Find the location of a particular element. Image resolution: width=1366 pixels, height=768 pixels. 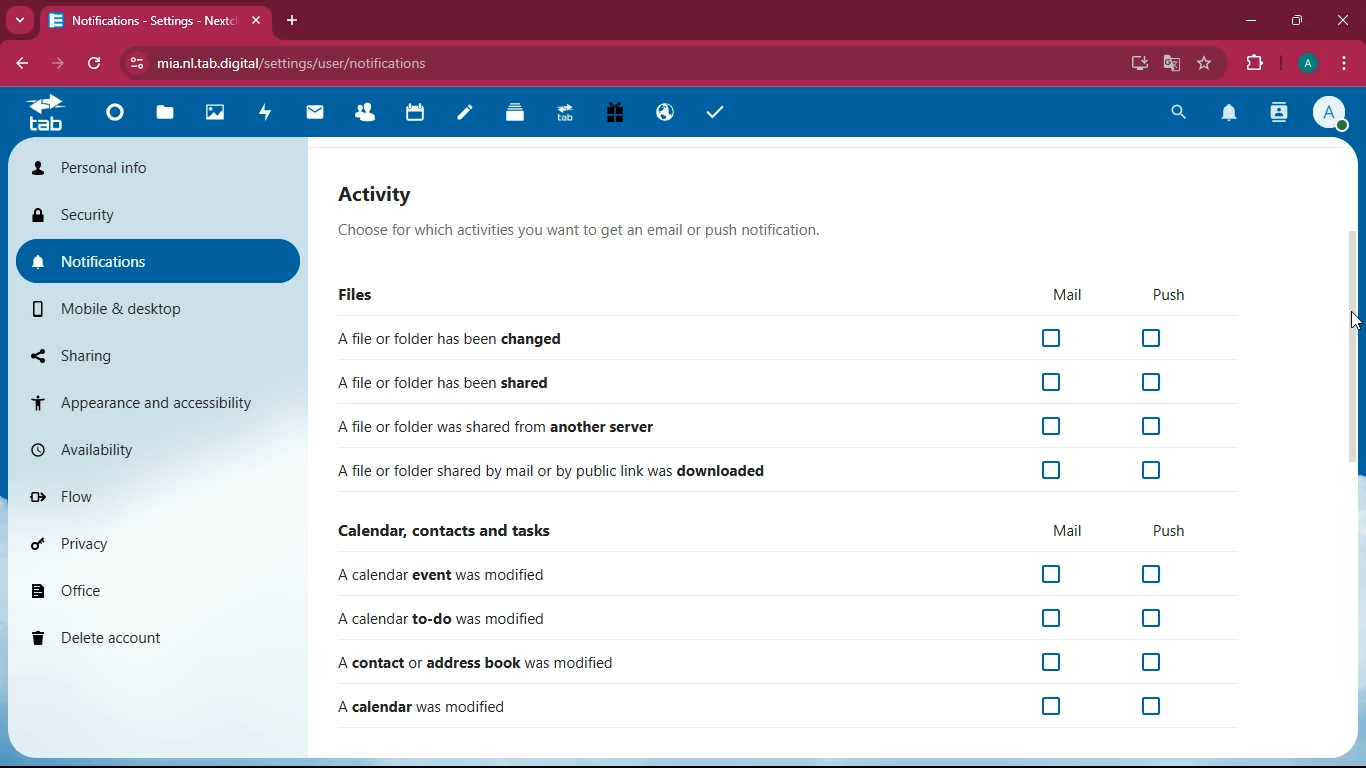

appearance and accessibility is located at coordinates (156, 403).